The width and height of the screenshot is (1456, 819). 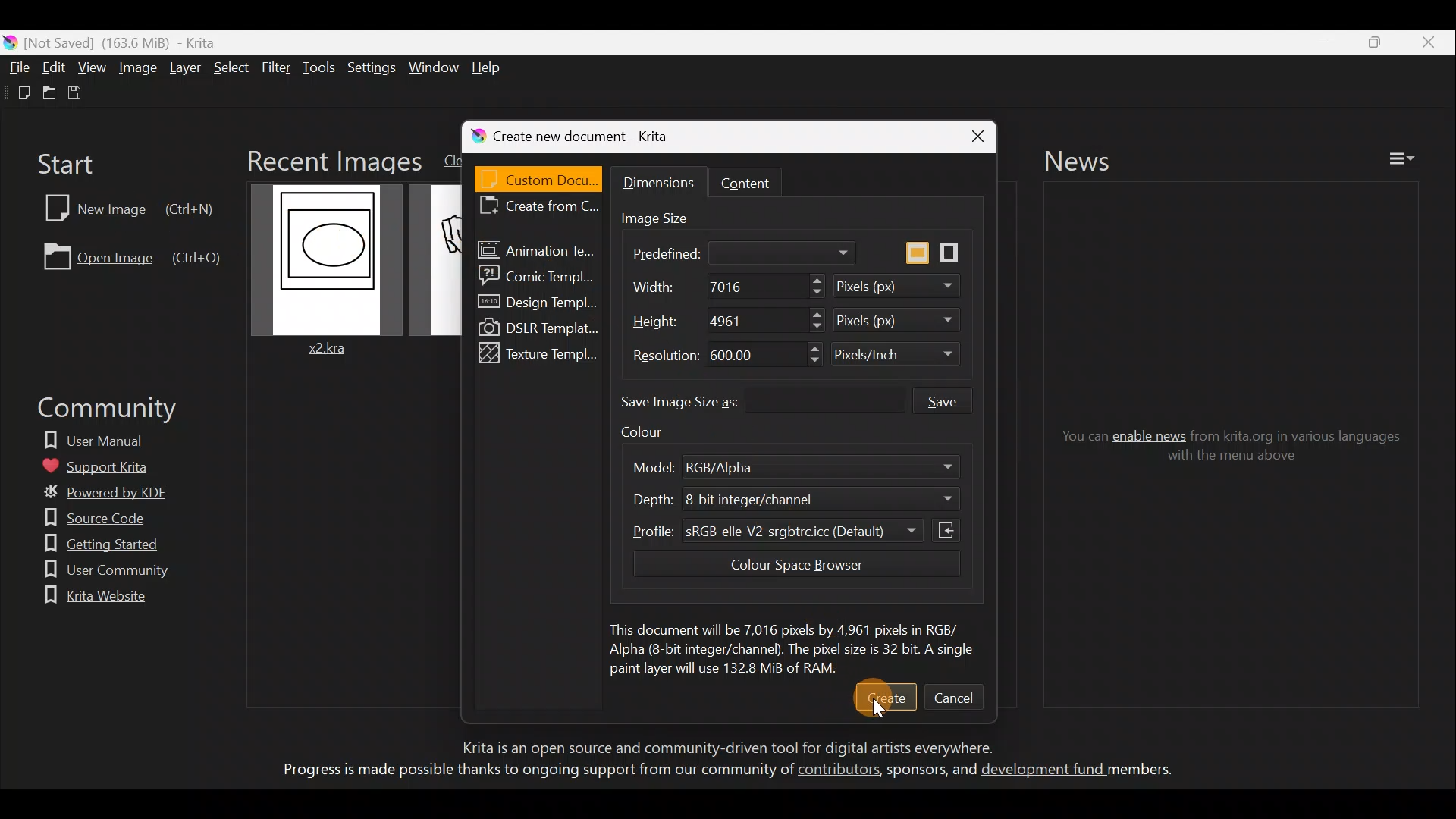 What do you see at coordinates (651, 321) in the screenshot?
I see `Height` at bounding box center [651, 321].